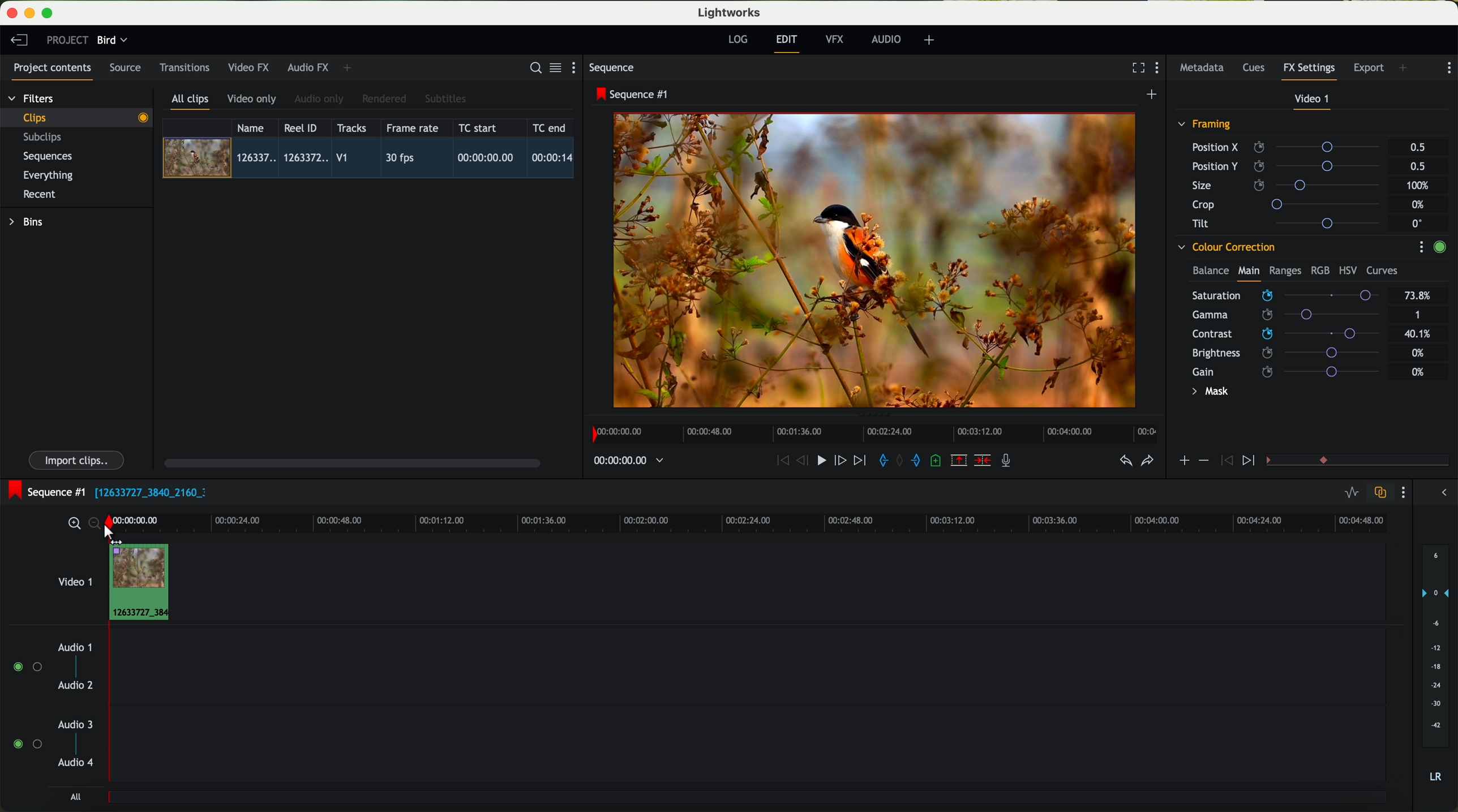 This screenshot has width=1458, height=812. What do you see at coordinates (44, 492) in the screenshot?
I see `sequence #1` at bounding box center [44, 492].